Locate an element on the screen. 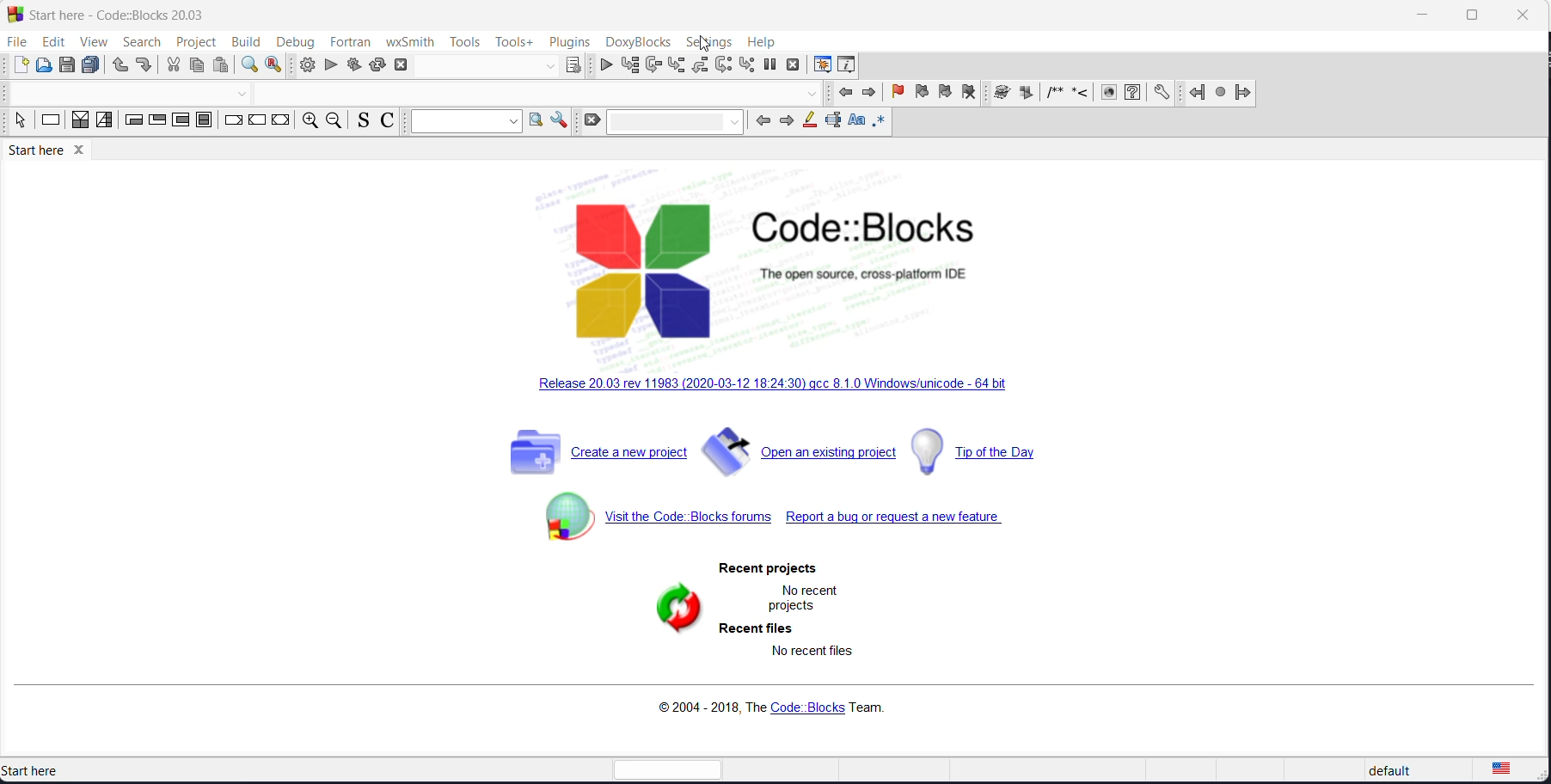  search is located at coordinates (135, 42).